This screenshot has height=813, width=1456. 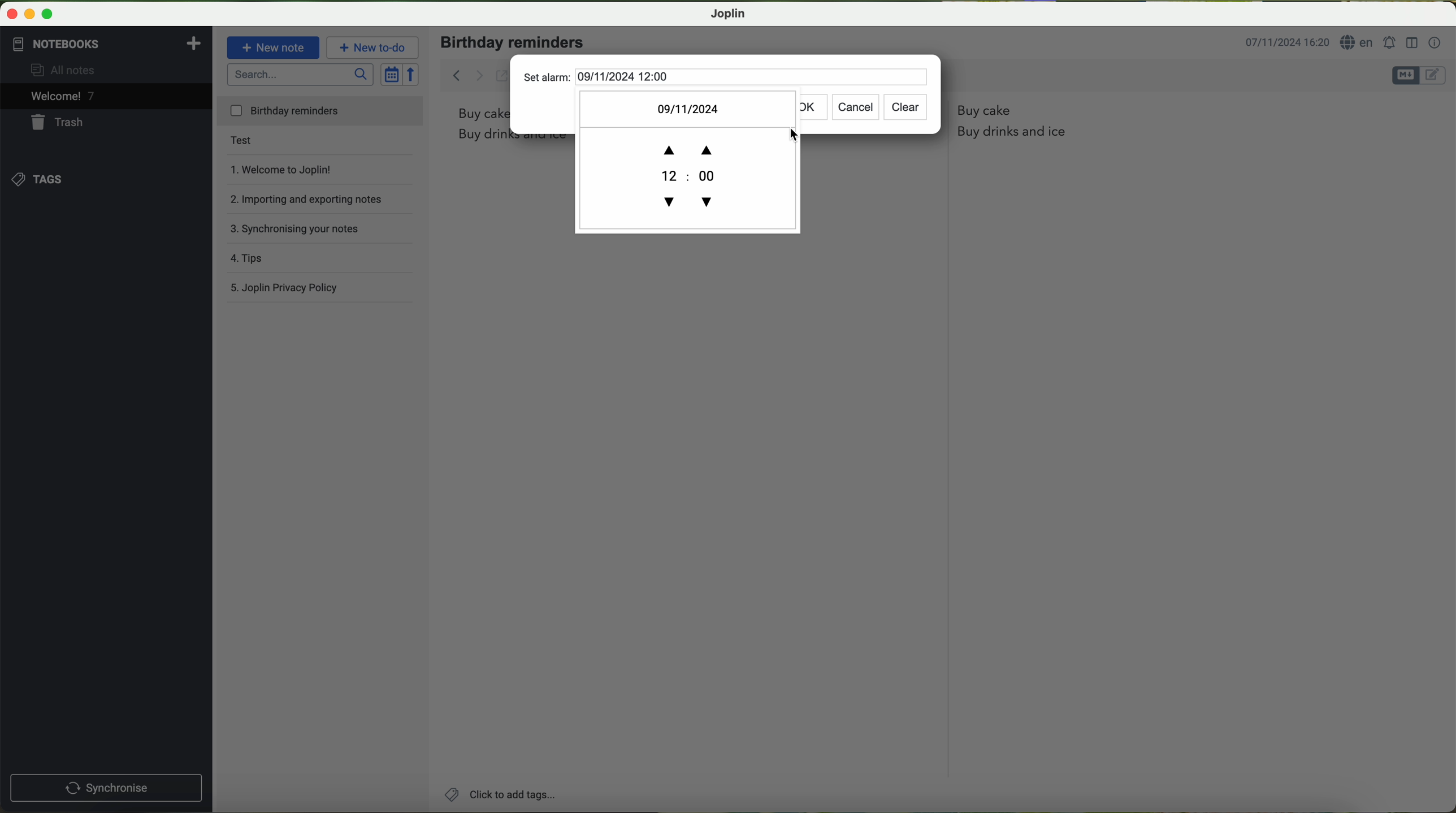 What do you see at coordinates (1392, 43) in the screenshot?
I see `set alarm` at bounding box center [1392, 43].